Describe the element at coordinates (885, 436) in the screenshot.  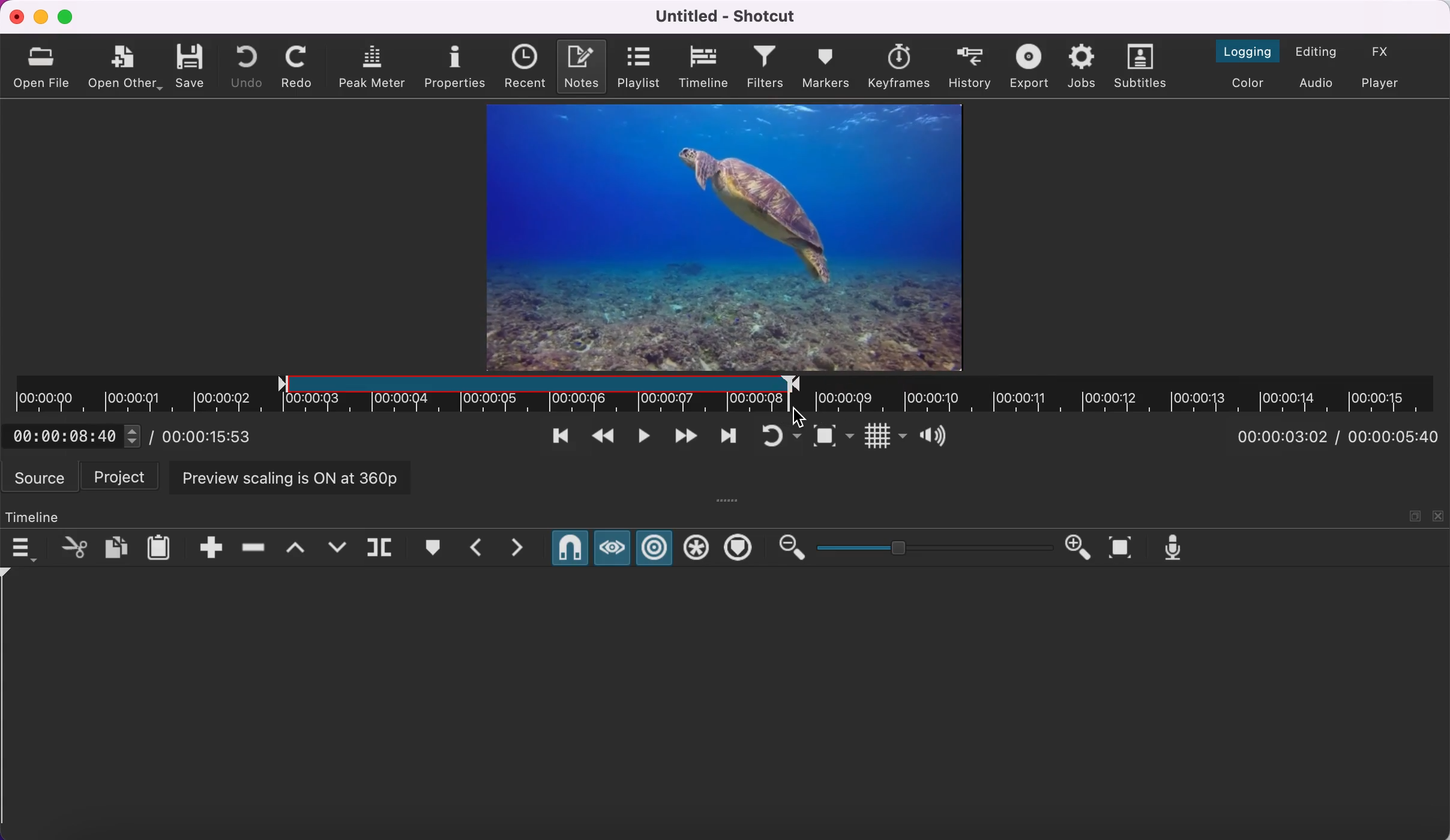
I see `` at that location.